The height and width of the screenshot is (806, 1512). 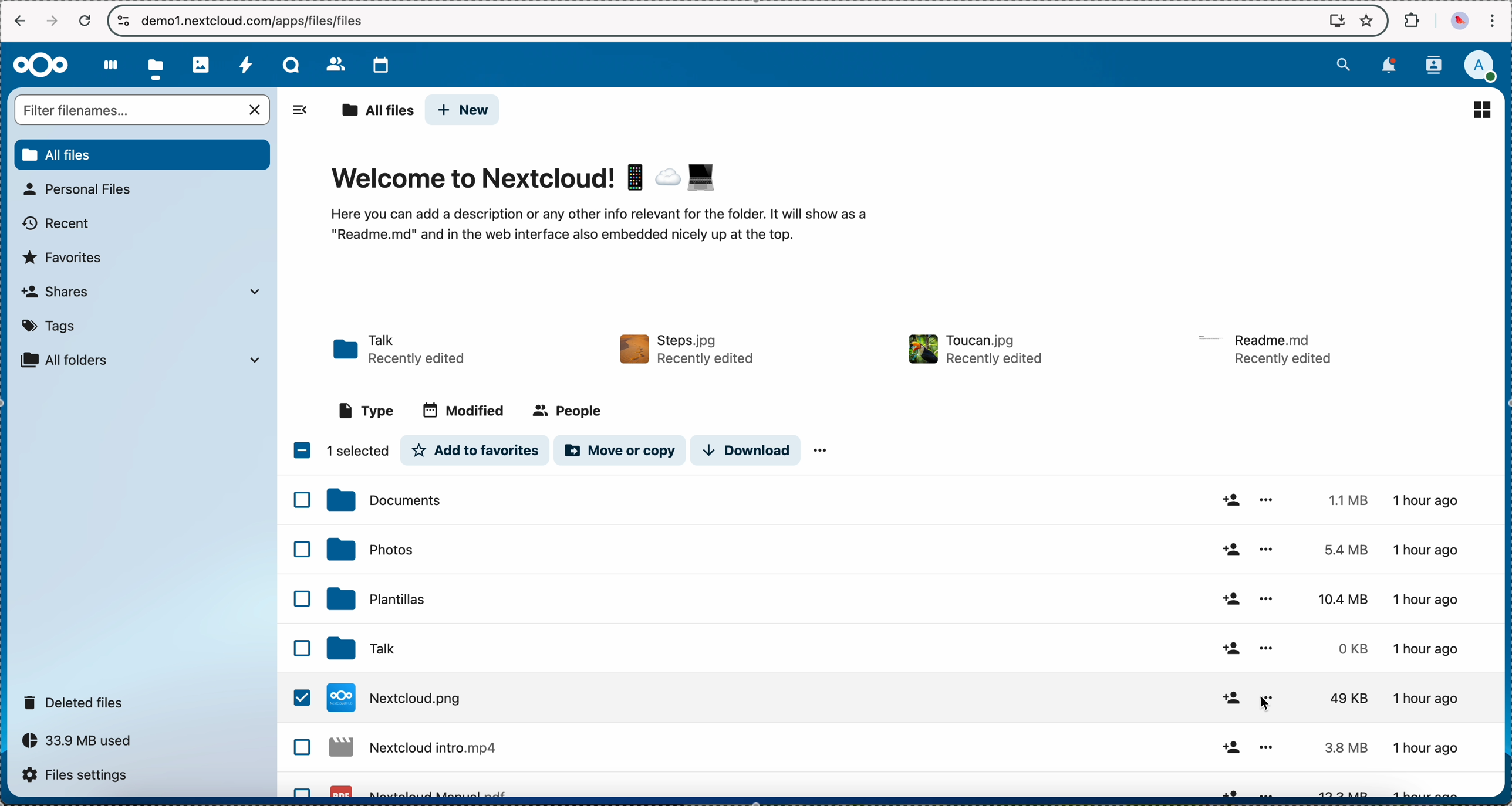 I want to click on controls, so click(x=124, y=21).